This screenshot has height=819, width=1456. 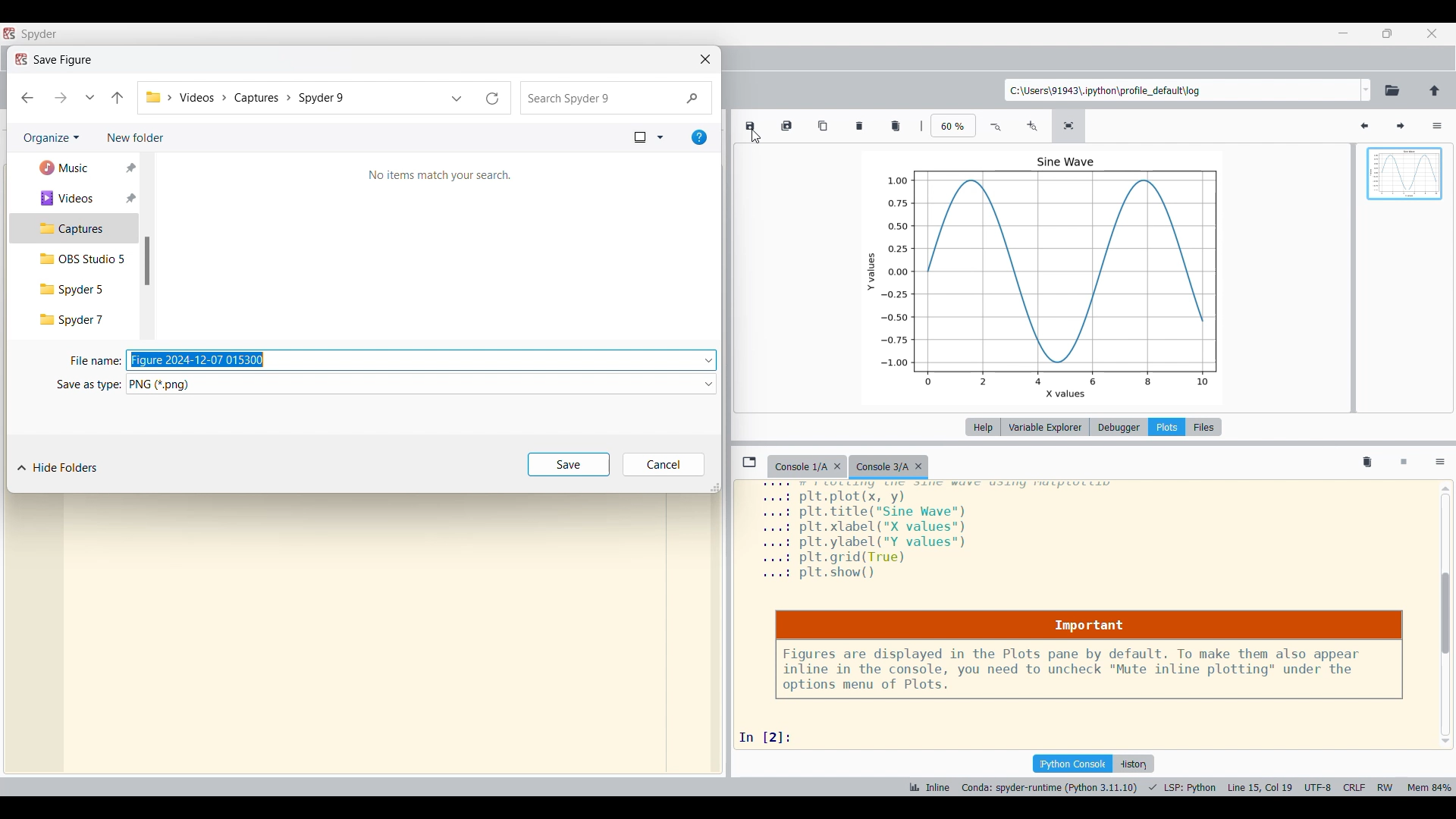 I want to click on Refresh, so click(x=494, y=98).